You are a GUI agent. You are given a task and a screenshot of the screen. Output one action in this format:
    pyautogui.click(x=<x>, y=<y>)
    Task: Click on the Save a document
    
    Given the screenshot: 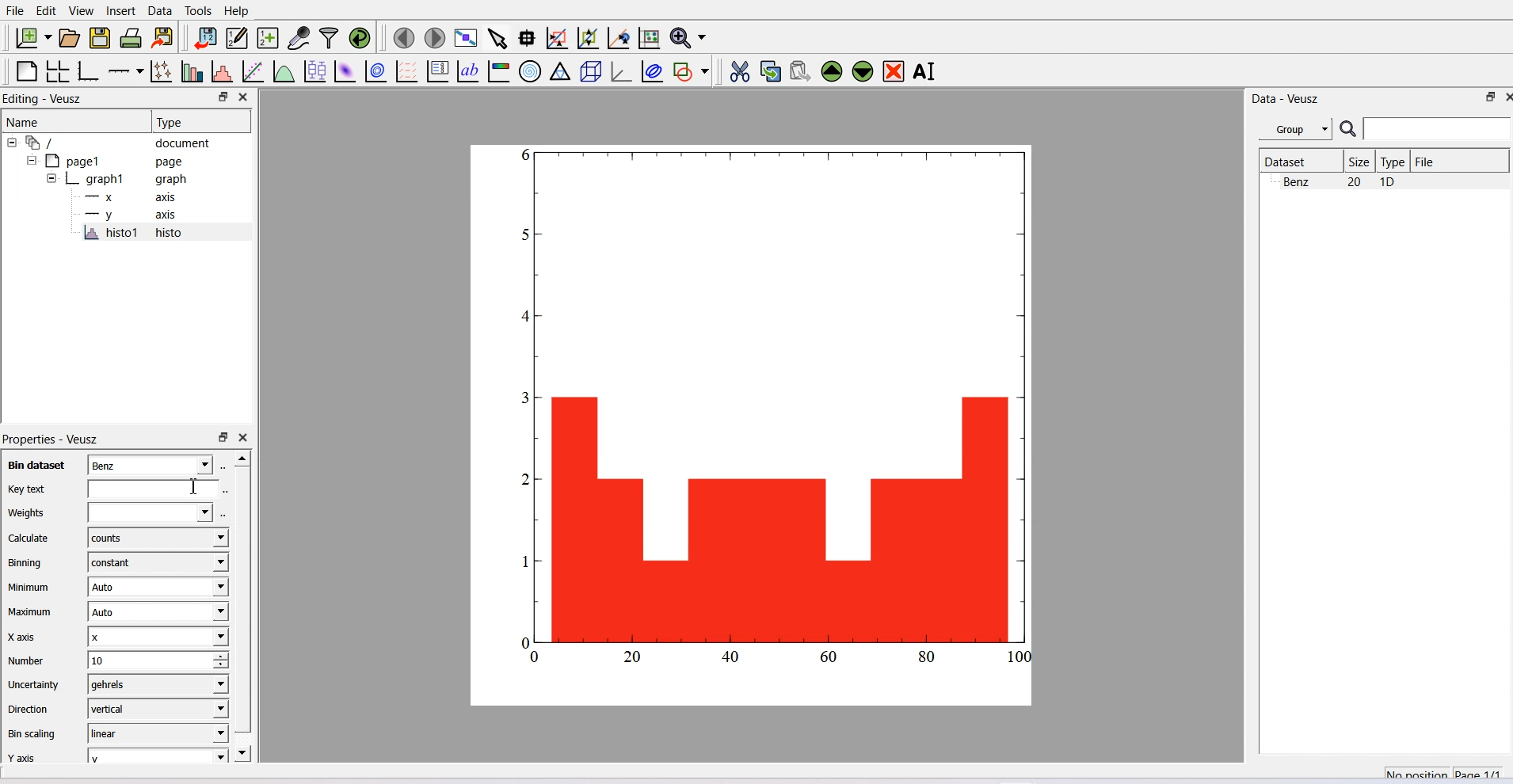 What is the action you would take?
    pyautogui.click(x=101, y=38)
    